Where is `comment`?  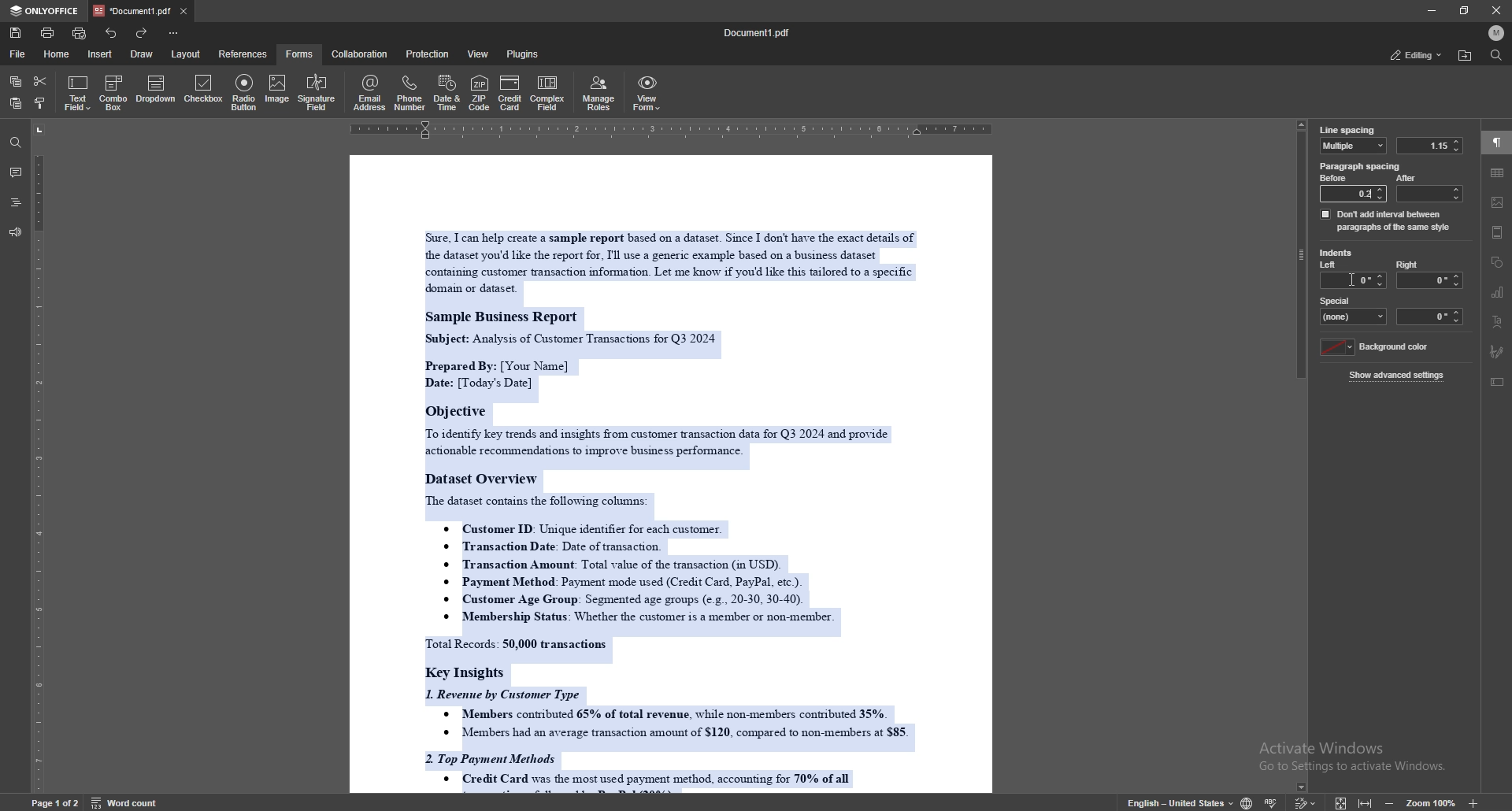 comment is located at coordinates (15, 172).